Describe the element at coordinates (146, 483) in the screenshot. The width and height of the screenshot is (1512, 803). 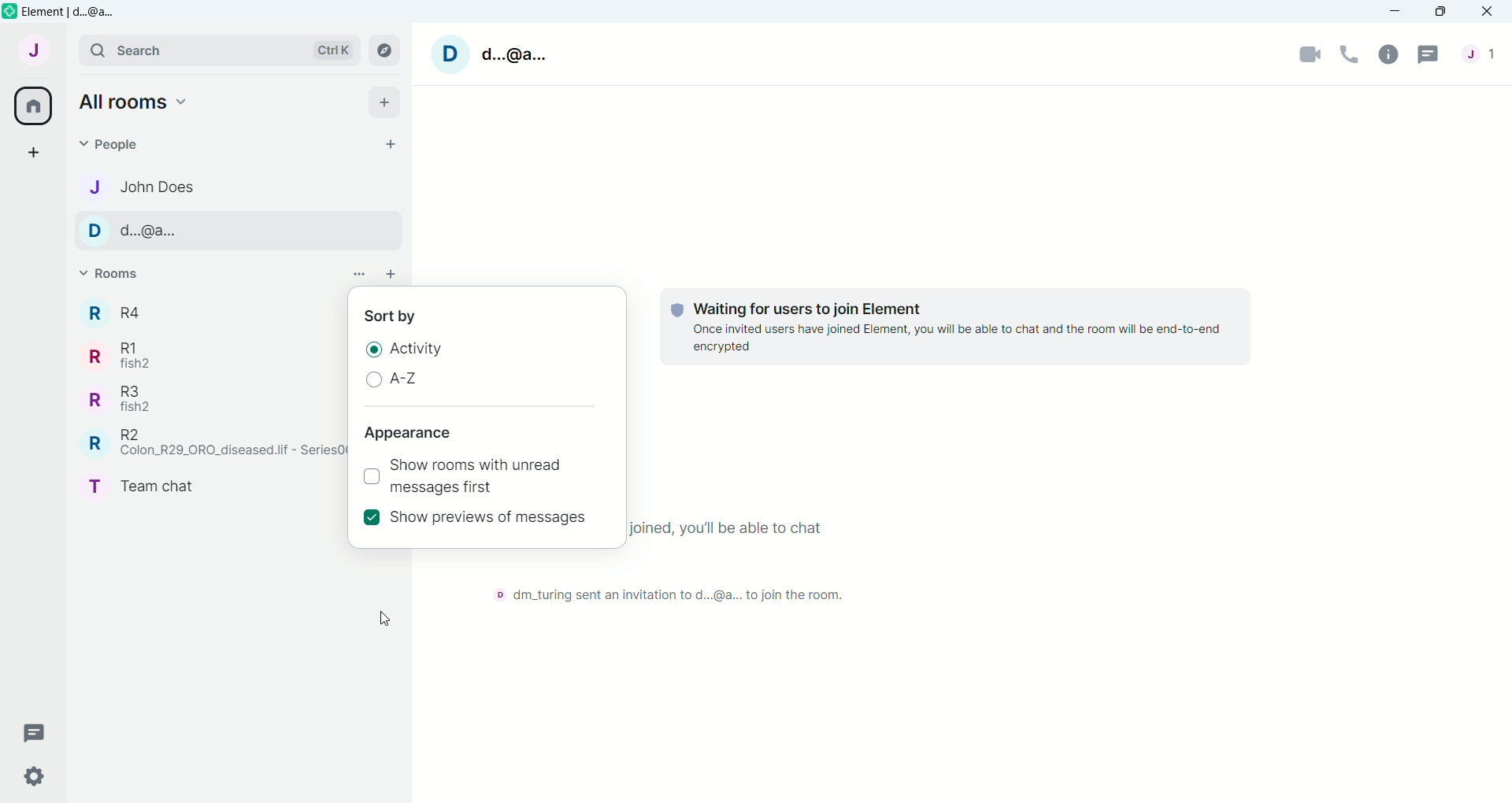
I see `T Team Chat` at that location.